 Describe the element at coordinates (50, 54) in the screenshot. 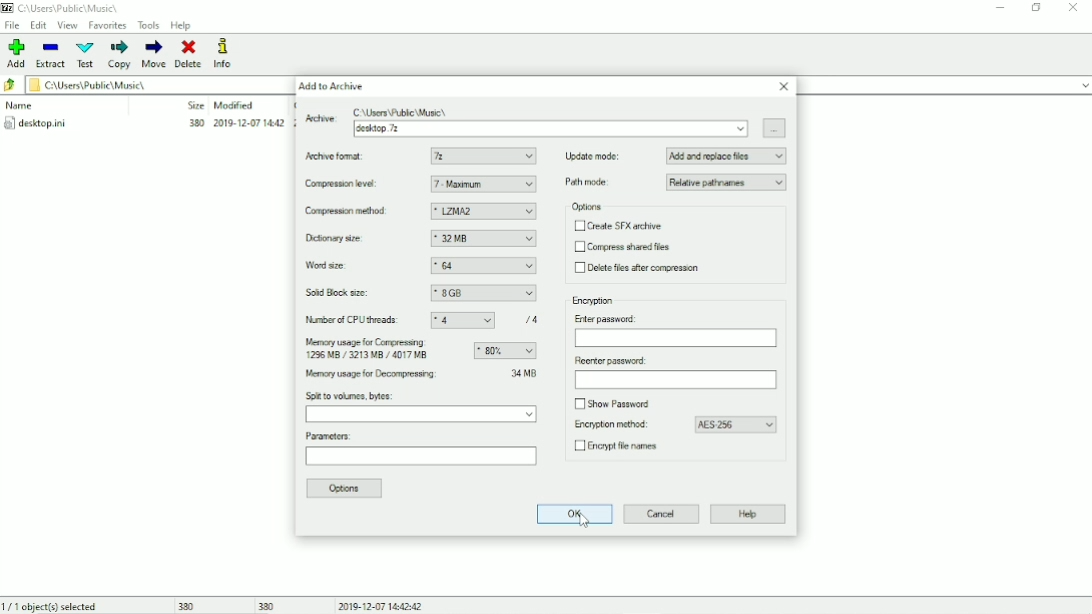

I see `Extract` at that location.